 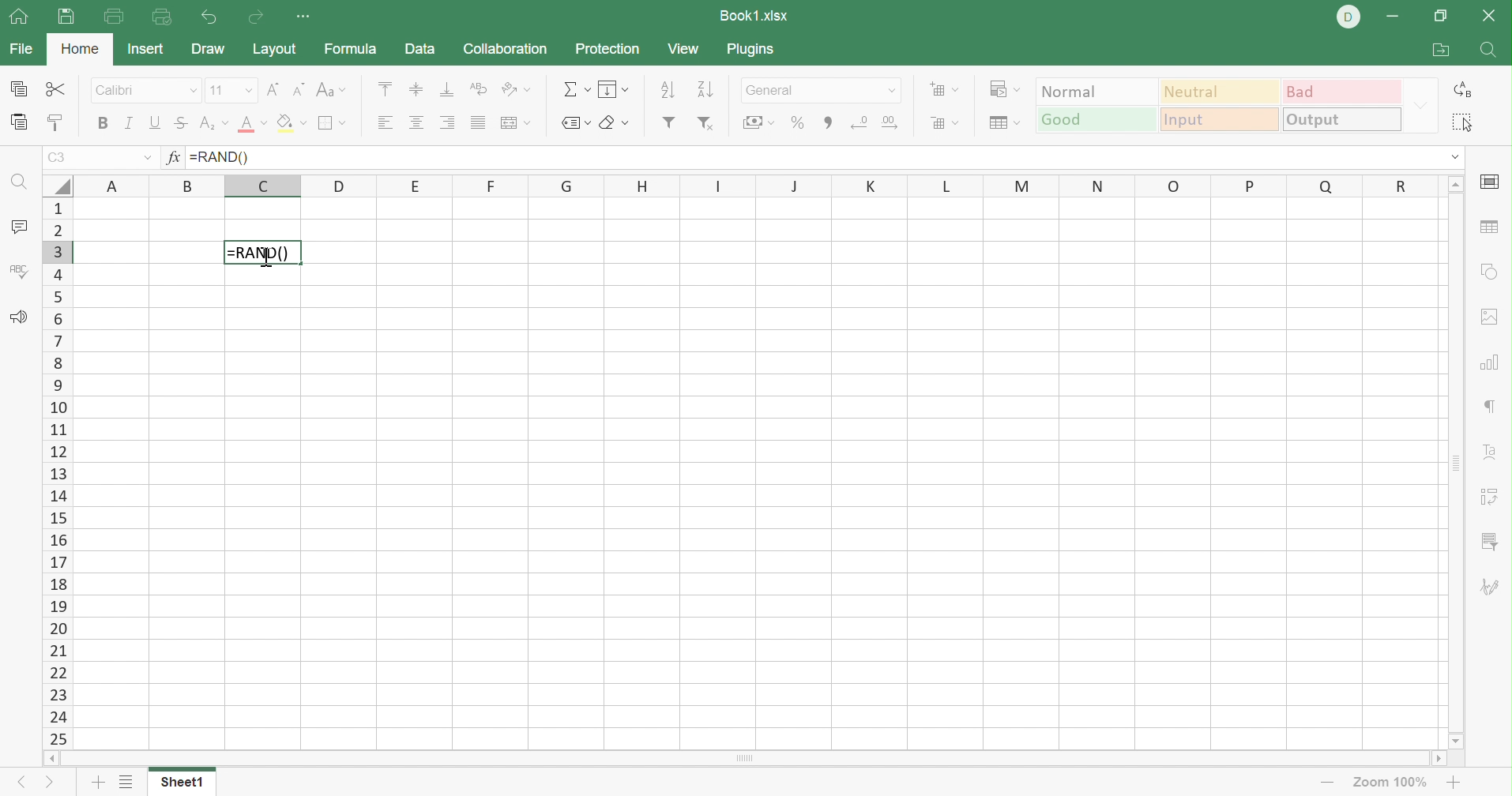 I want to click on Select all, so click(x=1465, y=123).